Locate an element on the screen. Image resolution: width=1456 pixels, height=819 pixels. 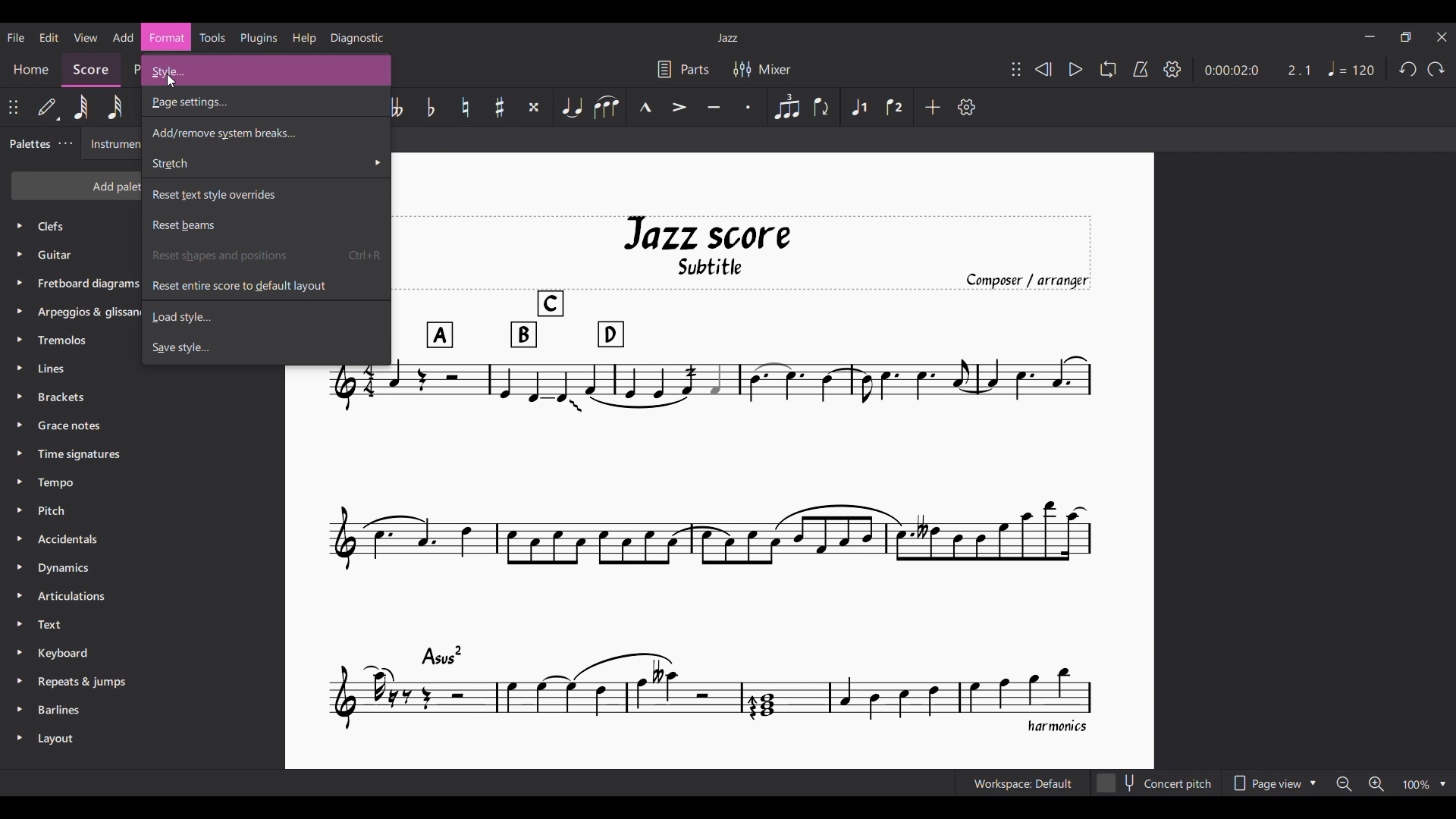
Toggle flat is located at coordinates (431, 106).